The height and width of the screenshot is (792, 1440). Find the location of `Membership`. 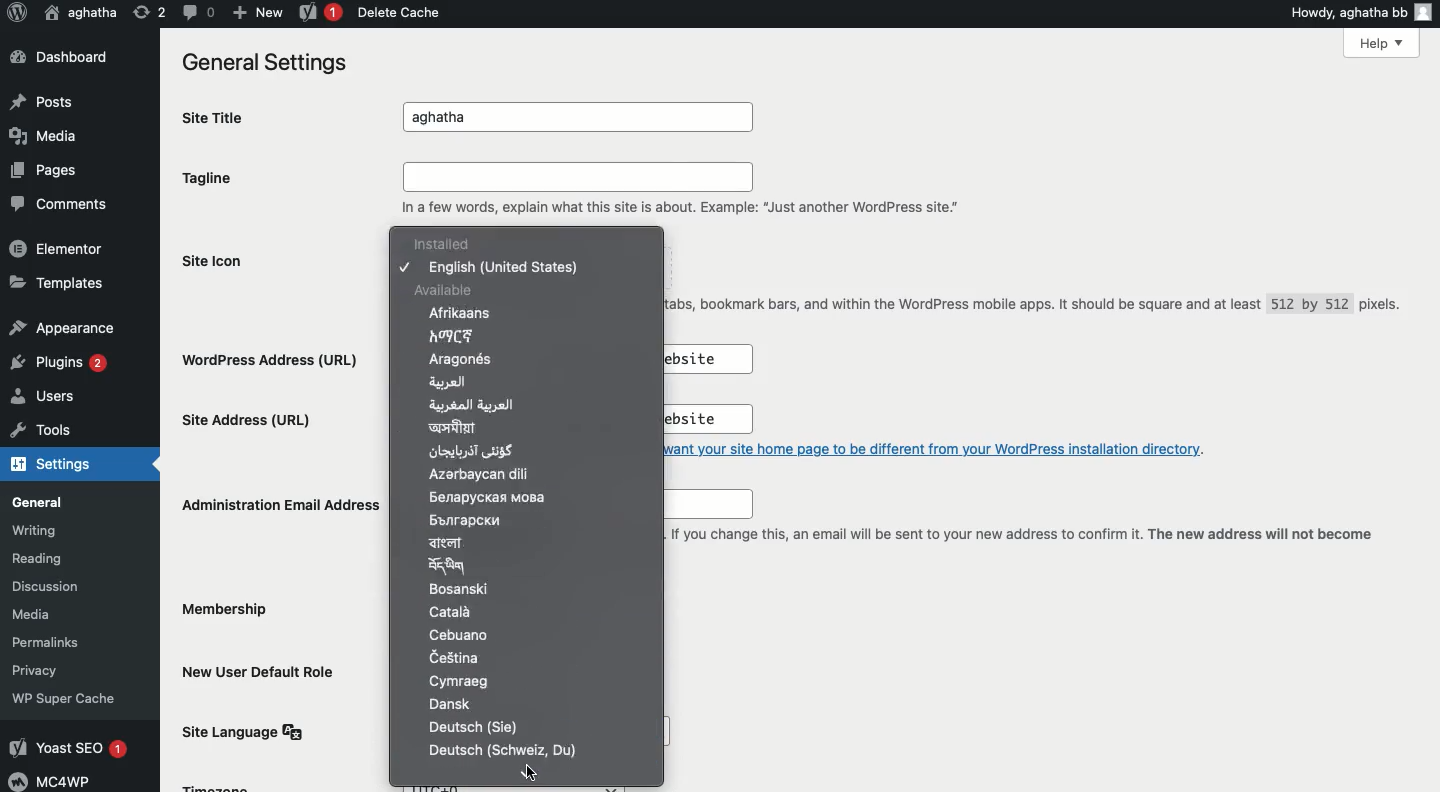

Membership is located at coordinates (229, 613).